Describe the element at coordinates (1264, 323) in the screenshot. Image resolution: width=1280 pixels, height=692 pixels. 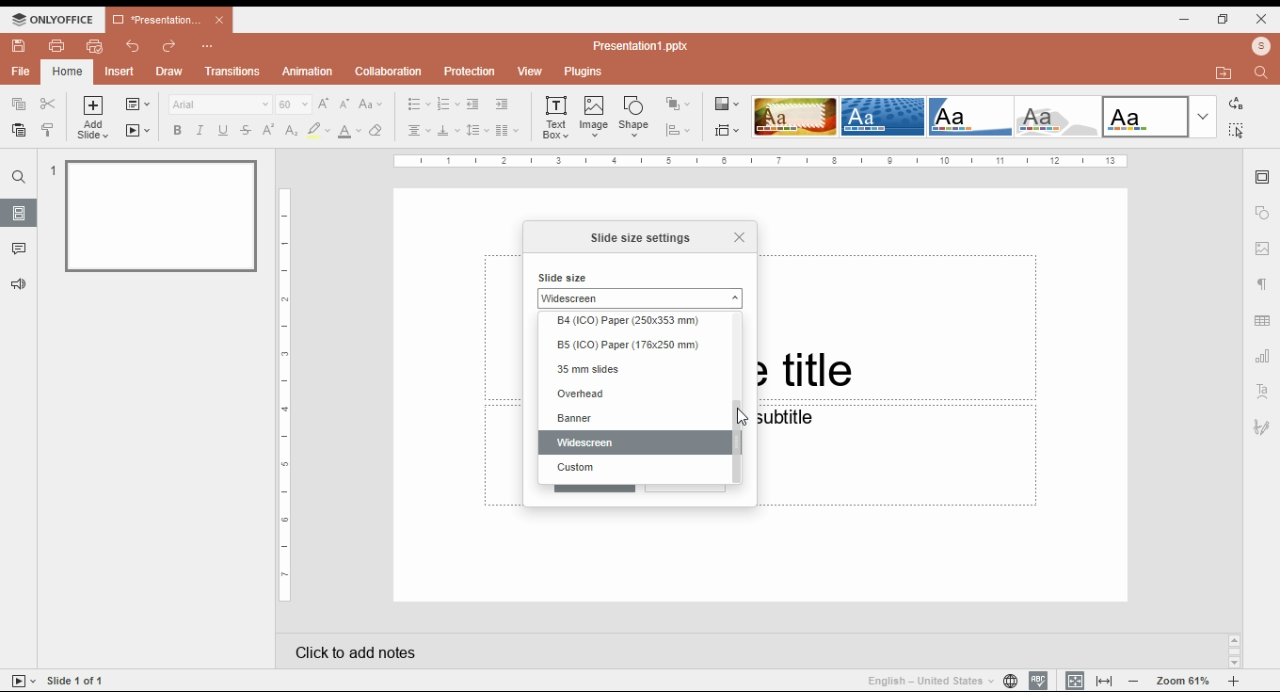
I see `table settings` at that location.